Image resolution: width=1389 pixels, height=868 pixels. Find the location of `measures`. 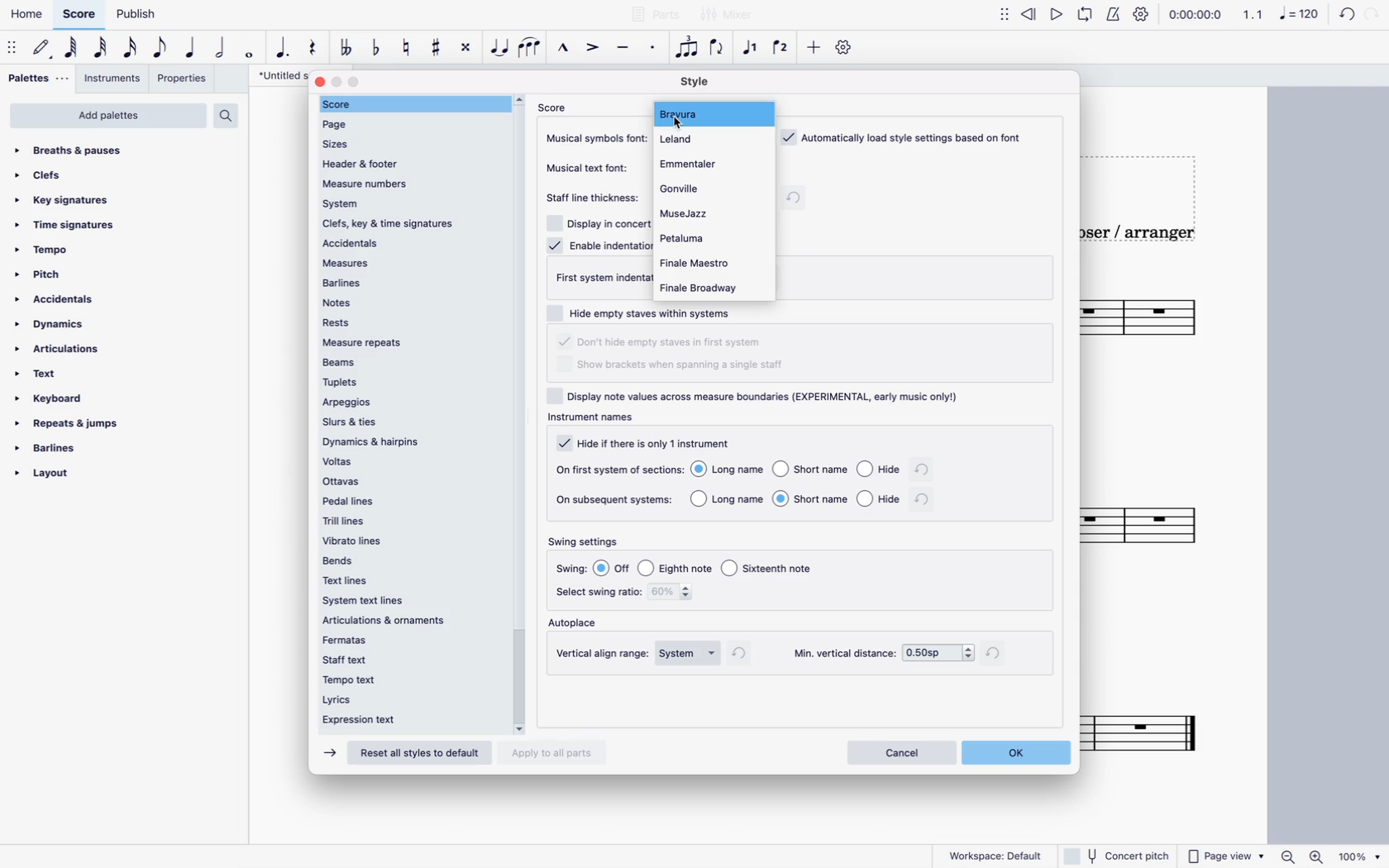

measures is located at coordinates (414, 264).